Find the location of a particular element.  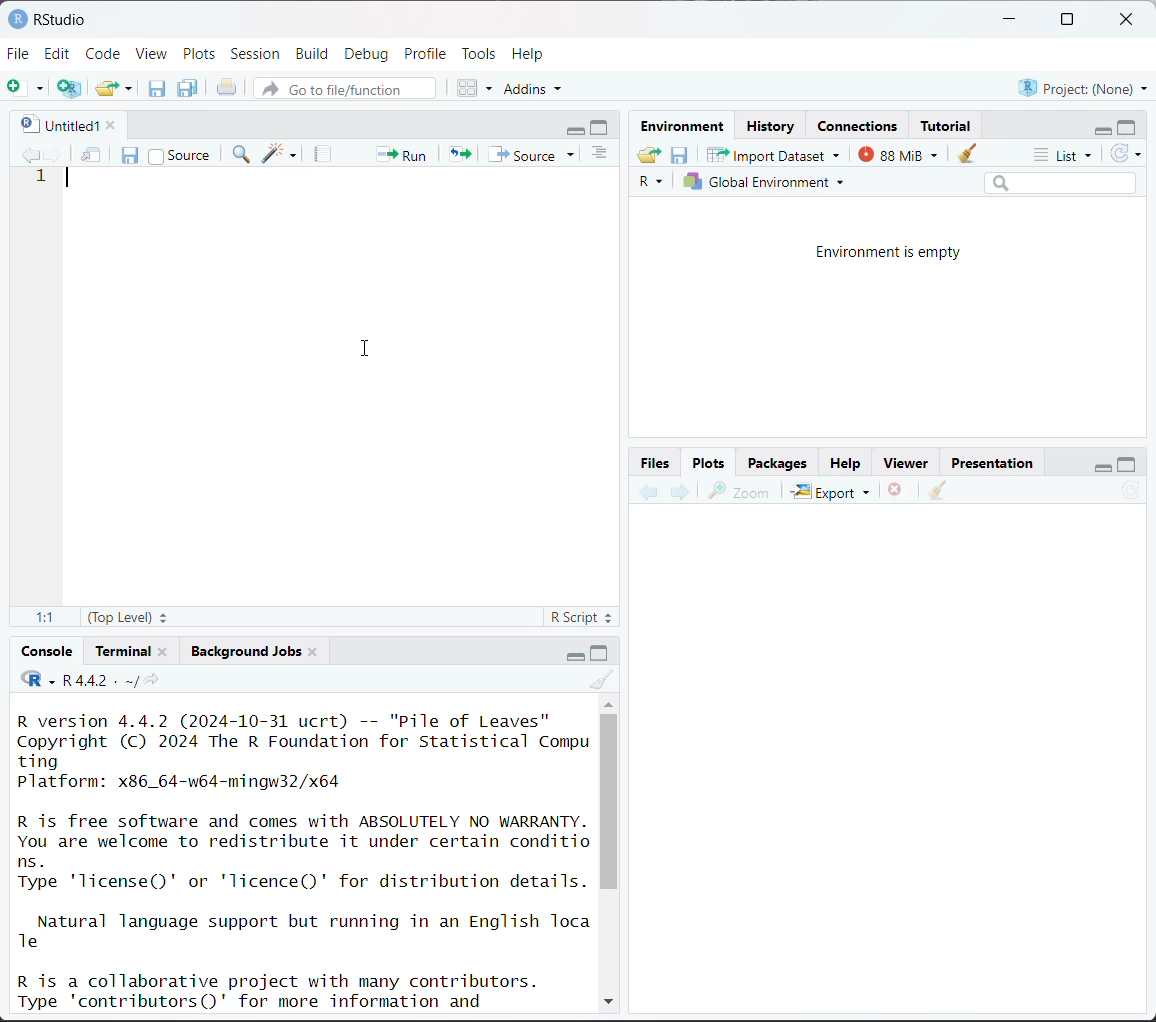

close is located at coordinates (163, 650).